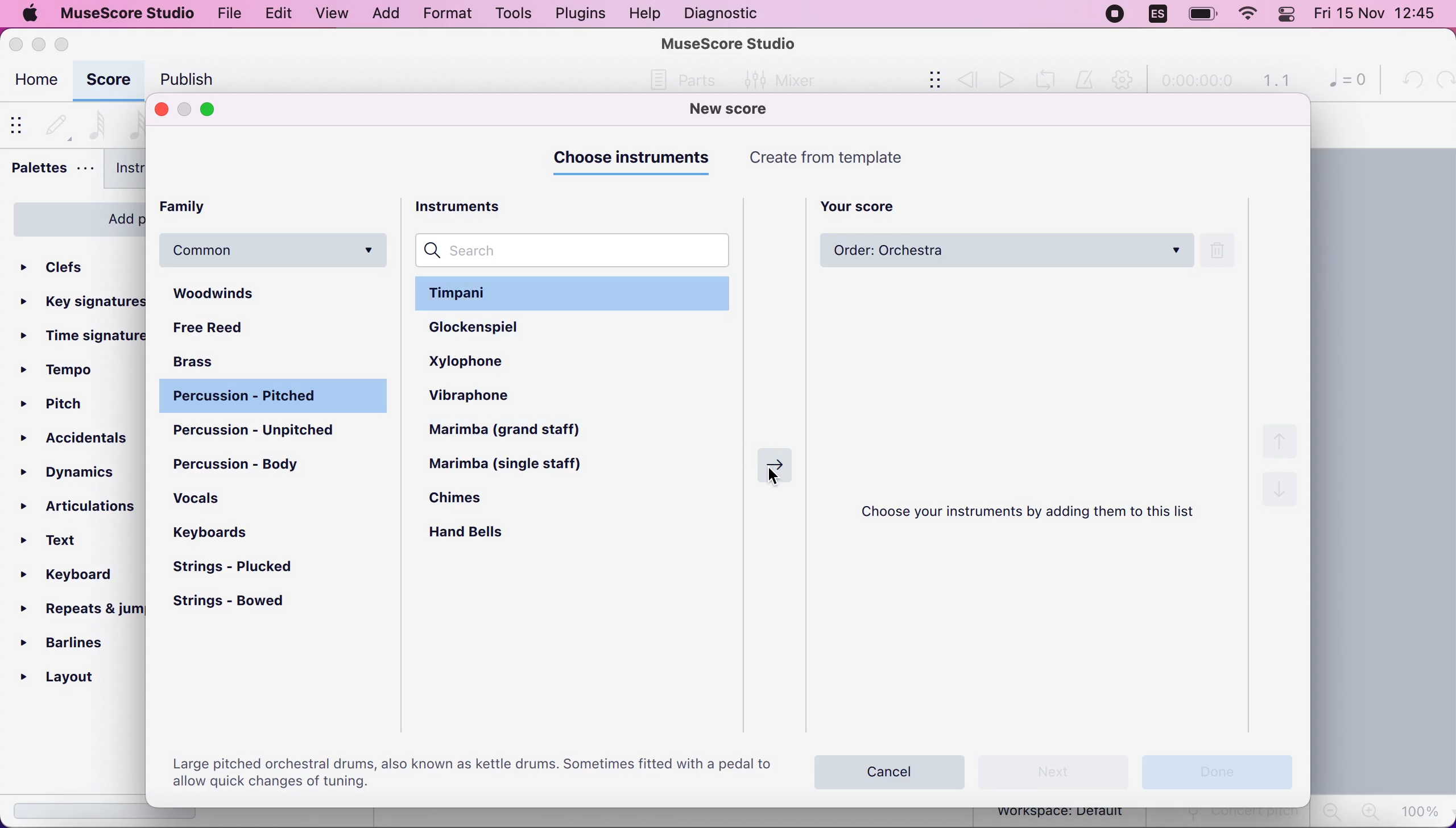 This screenshot has height=828, width=1456. What do you see at coordinates (1276, 81) in the screenshot?
I see `1.1 time` at bounding box center [1276, 81].